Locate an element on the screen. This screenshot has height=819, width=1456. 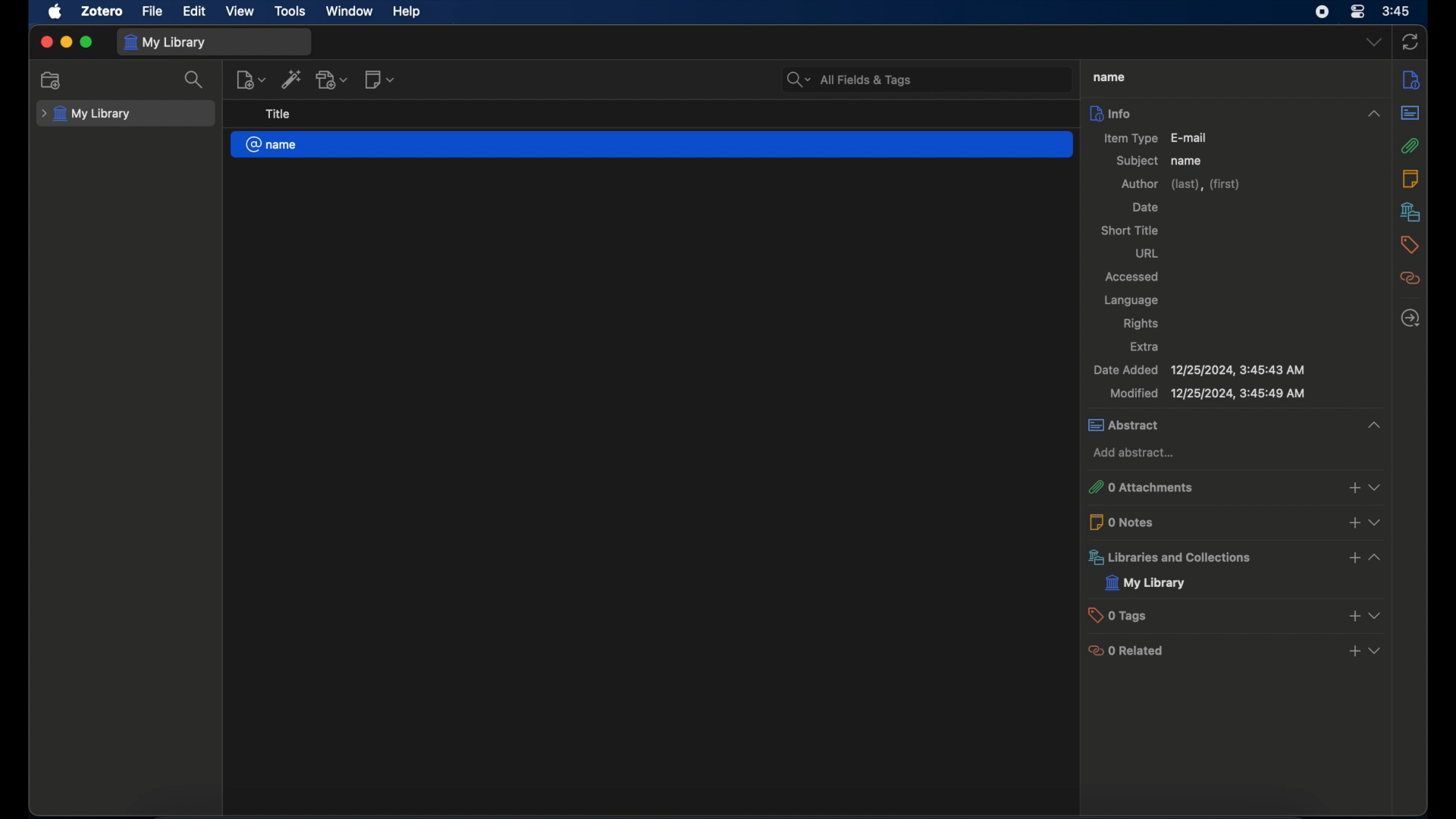
my library is located at coordinates (1146, 583).